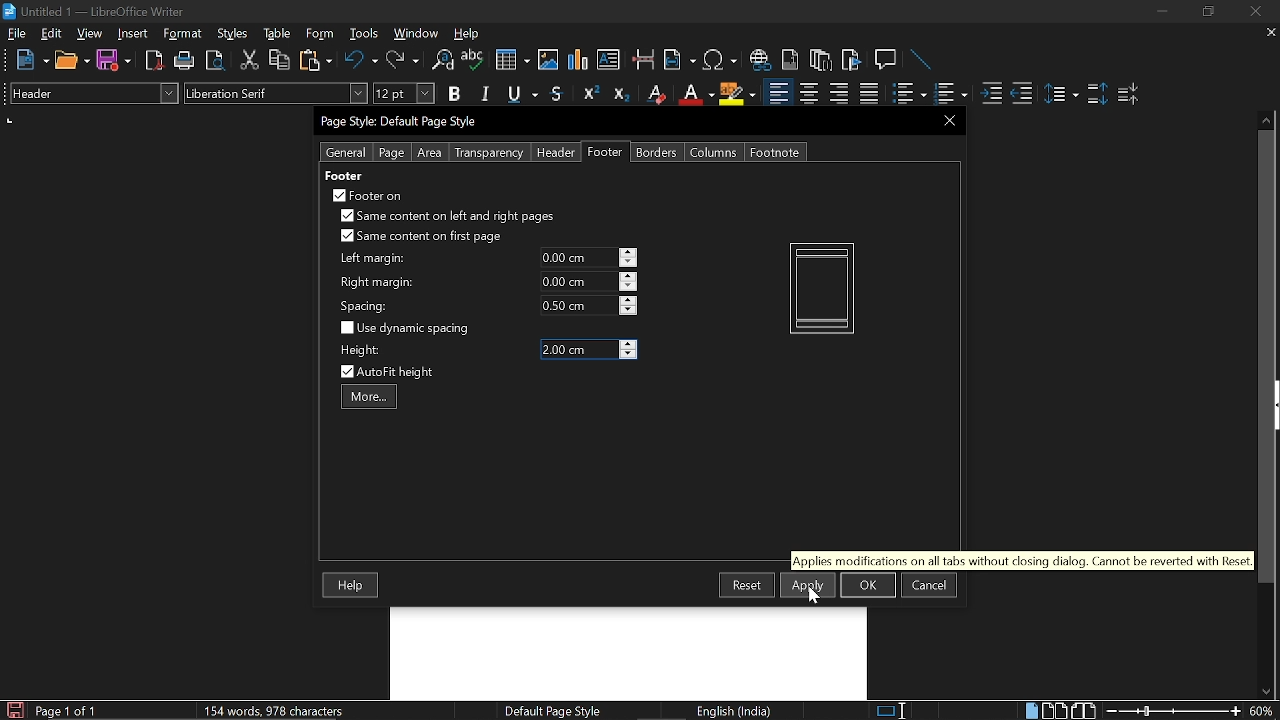 Image resolution: width=1280 pixels, height=720 pixels. I want to click on Undo, so click(362, 60).